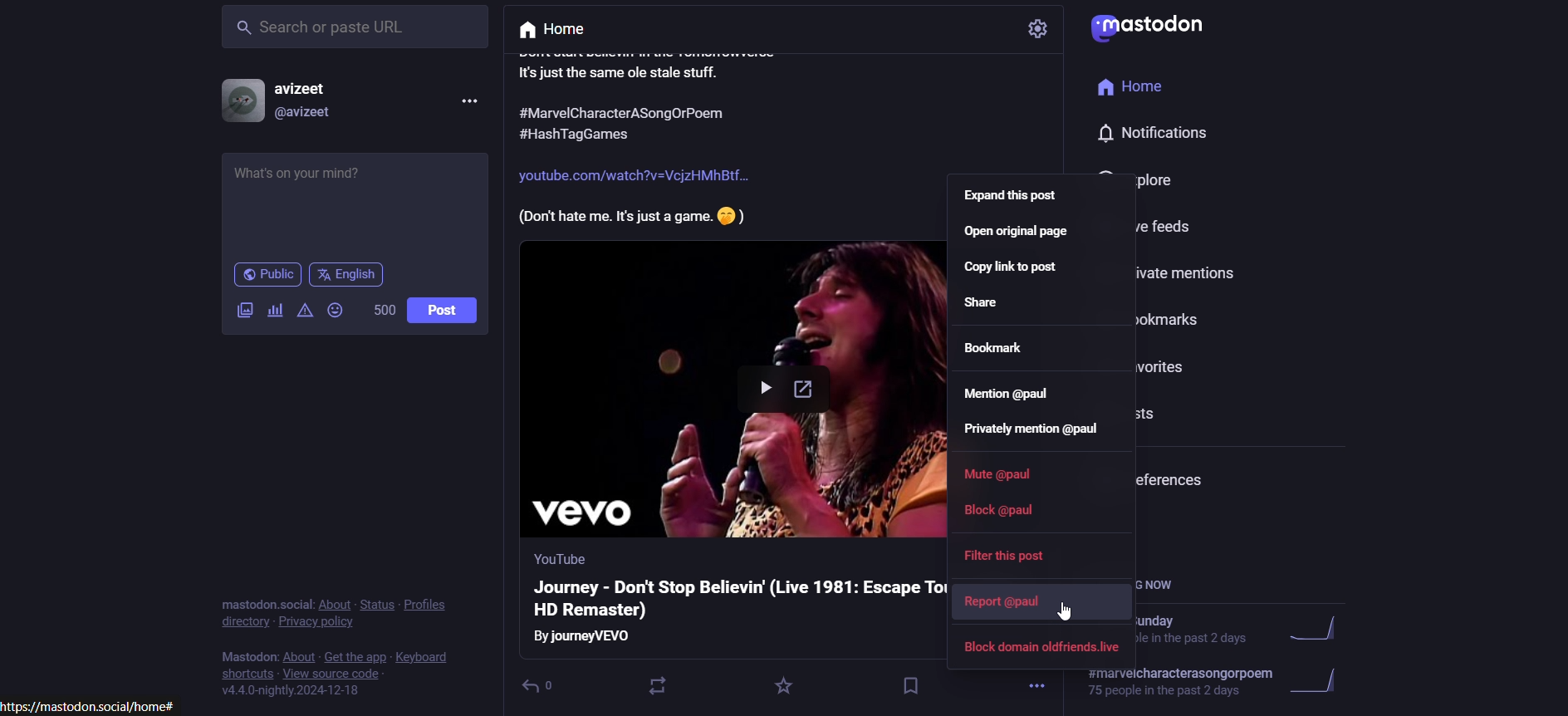  I want to click on add a poll, so click(276, 311).